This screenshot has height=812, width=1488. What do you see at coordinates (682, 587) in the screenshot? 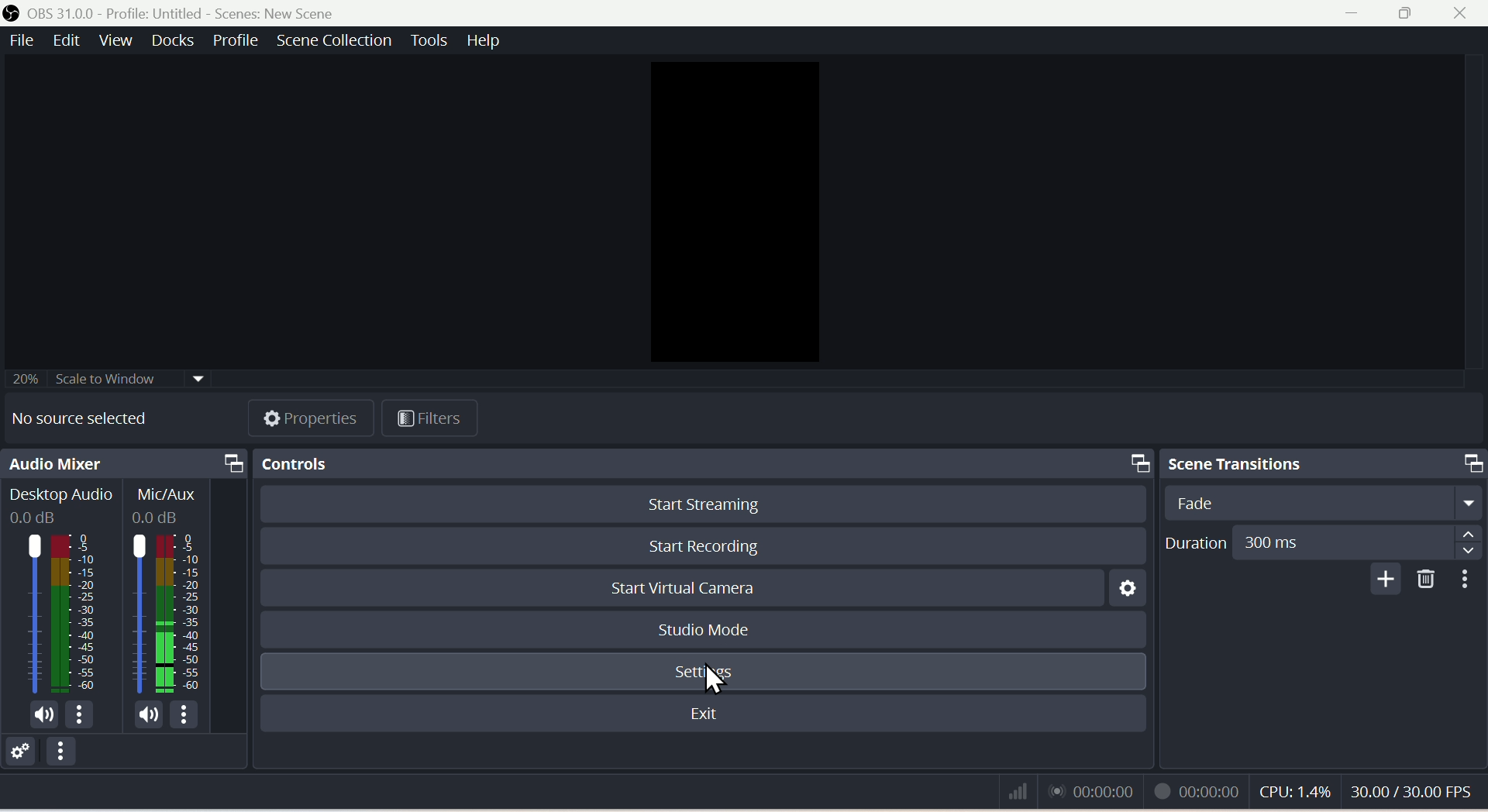
I see `Start virtual camera` at bounding box center [682, 587].